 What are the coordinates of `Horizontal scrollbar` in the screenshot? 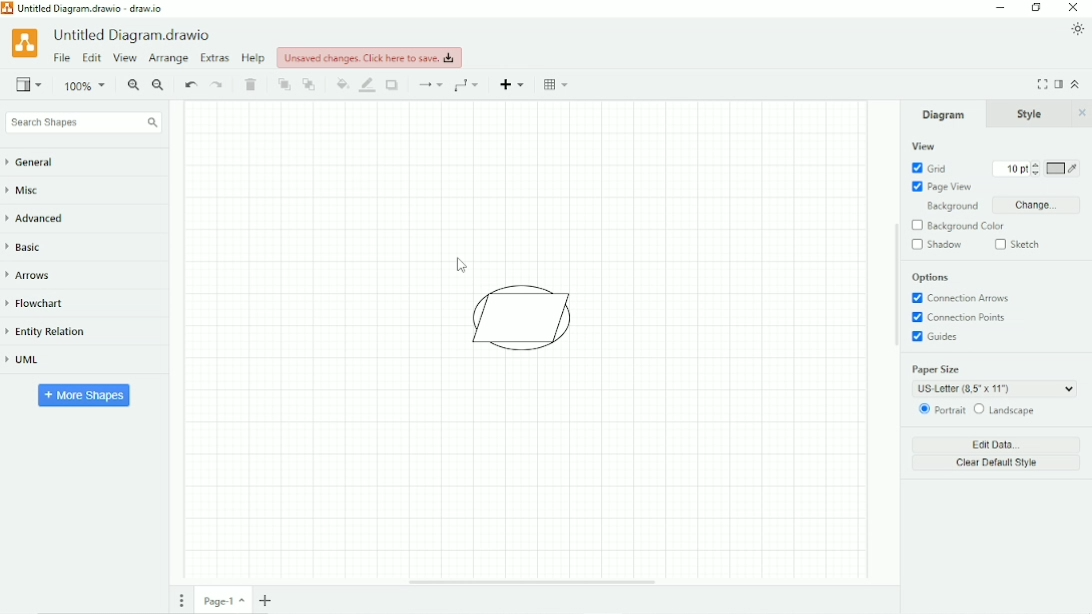 It's located at (532, 582).